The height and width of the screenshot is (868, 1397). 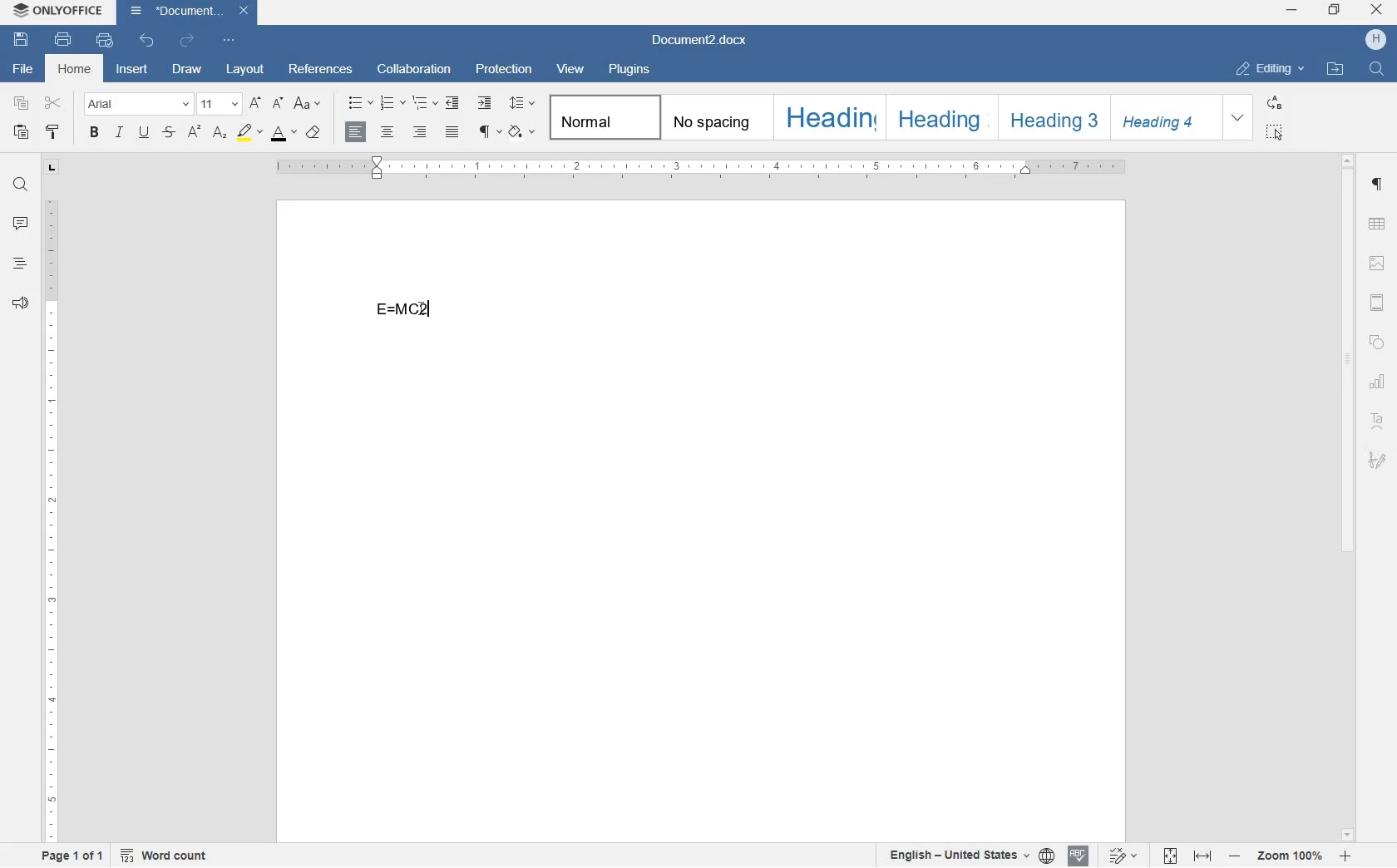 I want to click on numbering, so click(x=393, y=104).